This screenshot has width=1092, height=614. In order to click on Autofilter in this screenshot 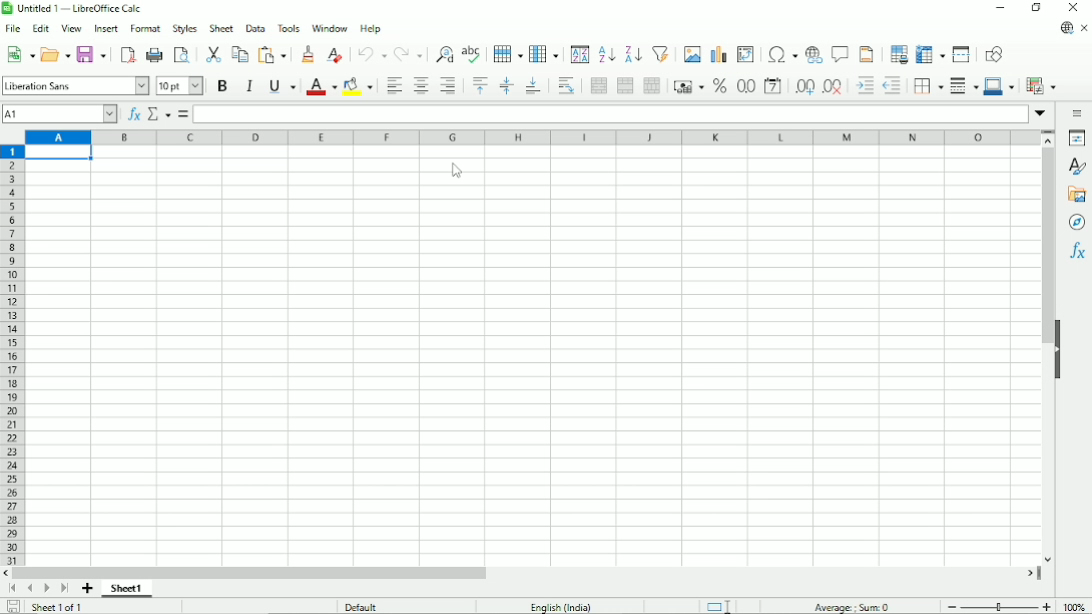, I will do `click(660, 53)`.